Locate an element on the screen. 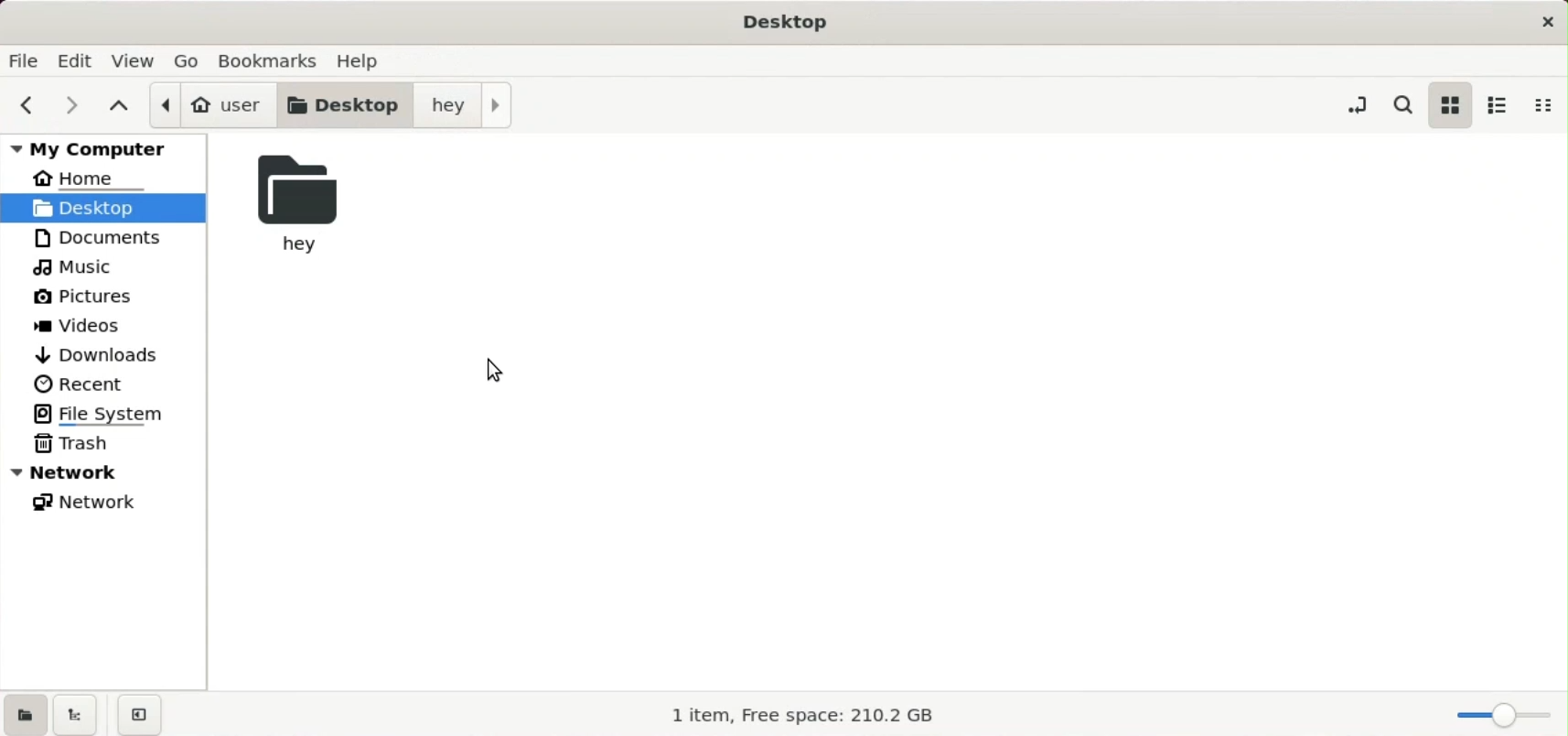  previous is located at coordinates (27, 104).